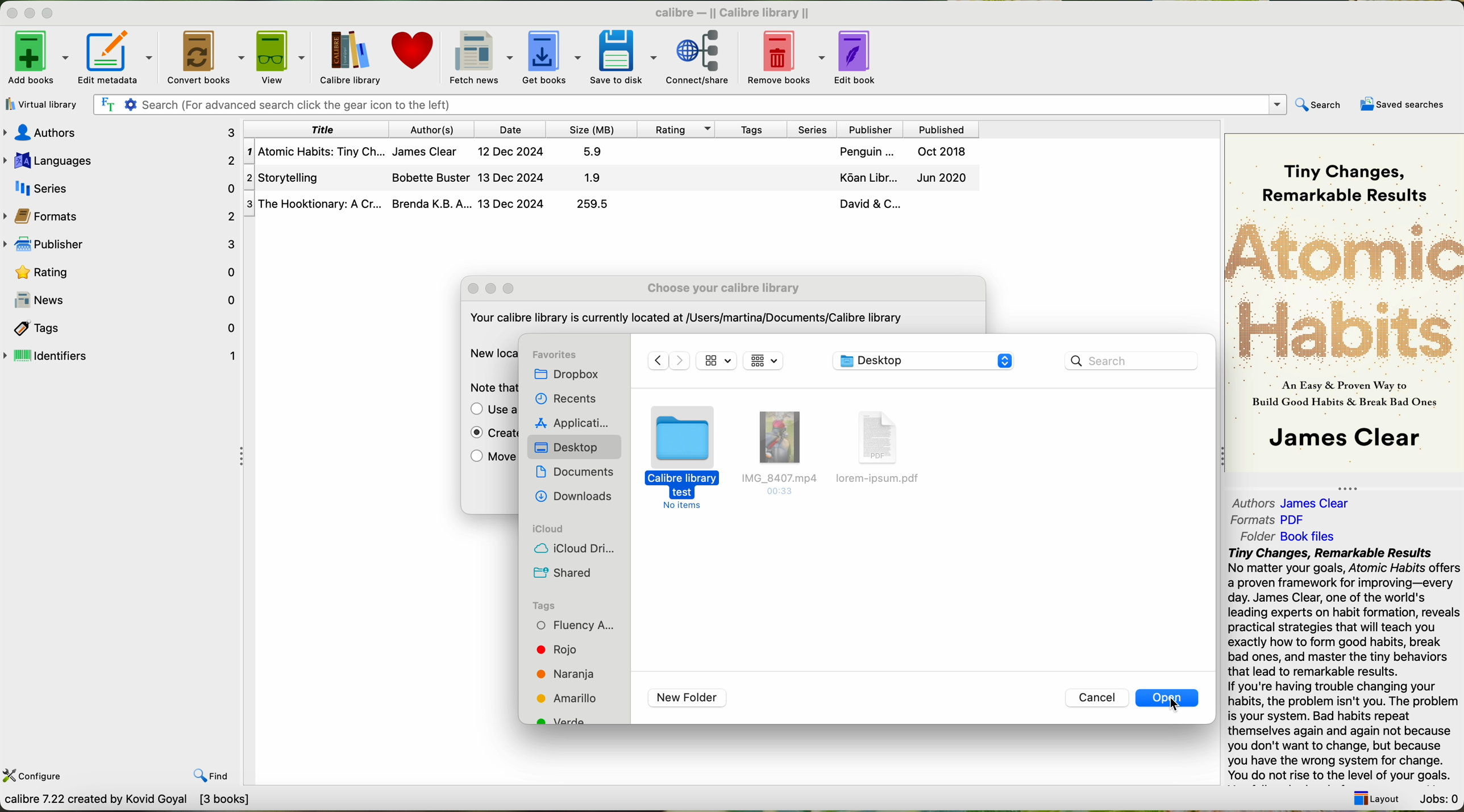 The image size is (1464, 812). I want to click on | Fr ¢ Search (For advanced search click the gear icon to the left), so click(685, 103).